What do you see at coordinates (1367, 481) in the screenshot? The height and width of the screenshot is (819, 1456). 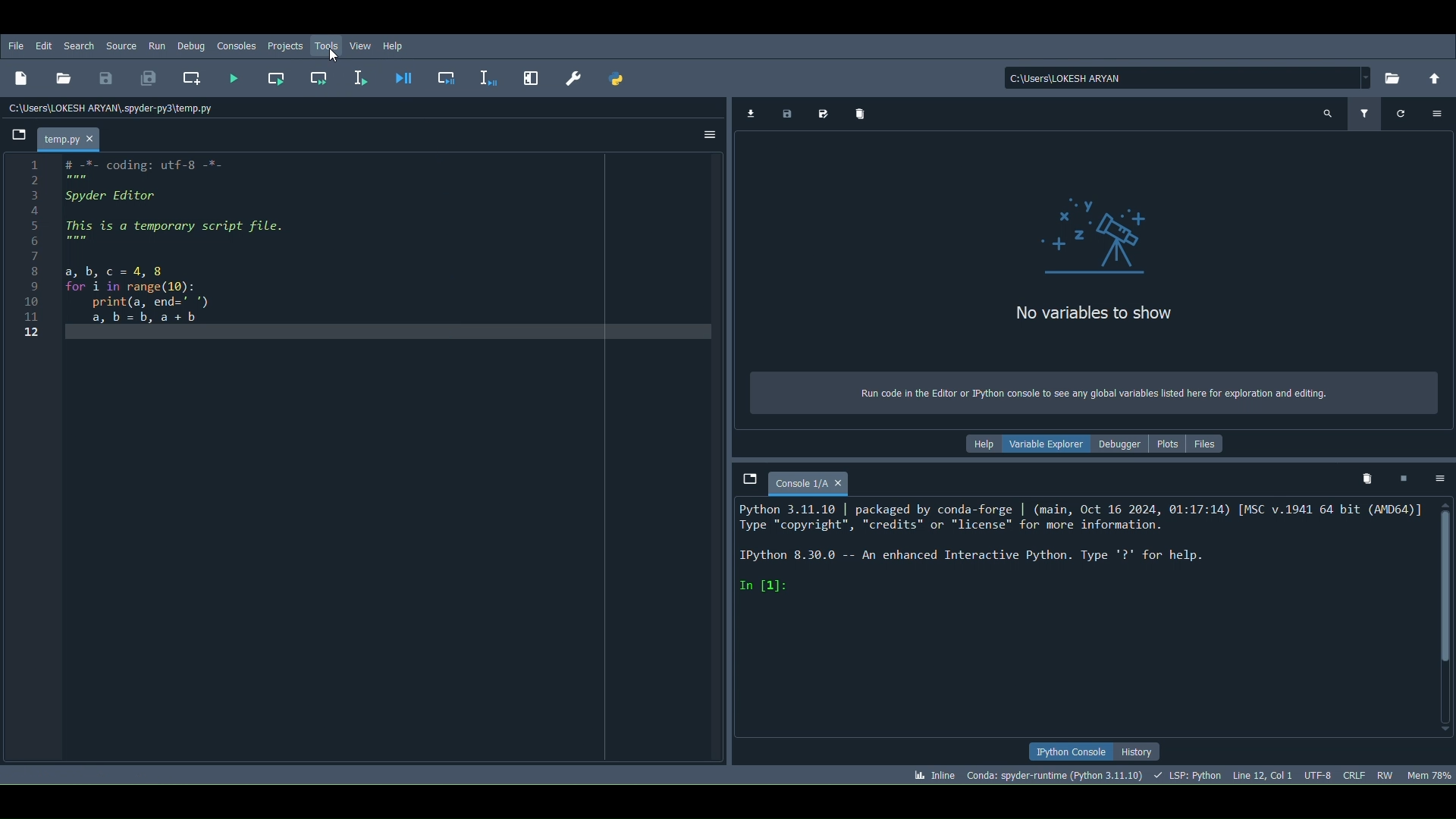 I see `Remove all variables from namespace` at bounding box center [1367, 481].